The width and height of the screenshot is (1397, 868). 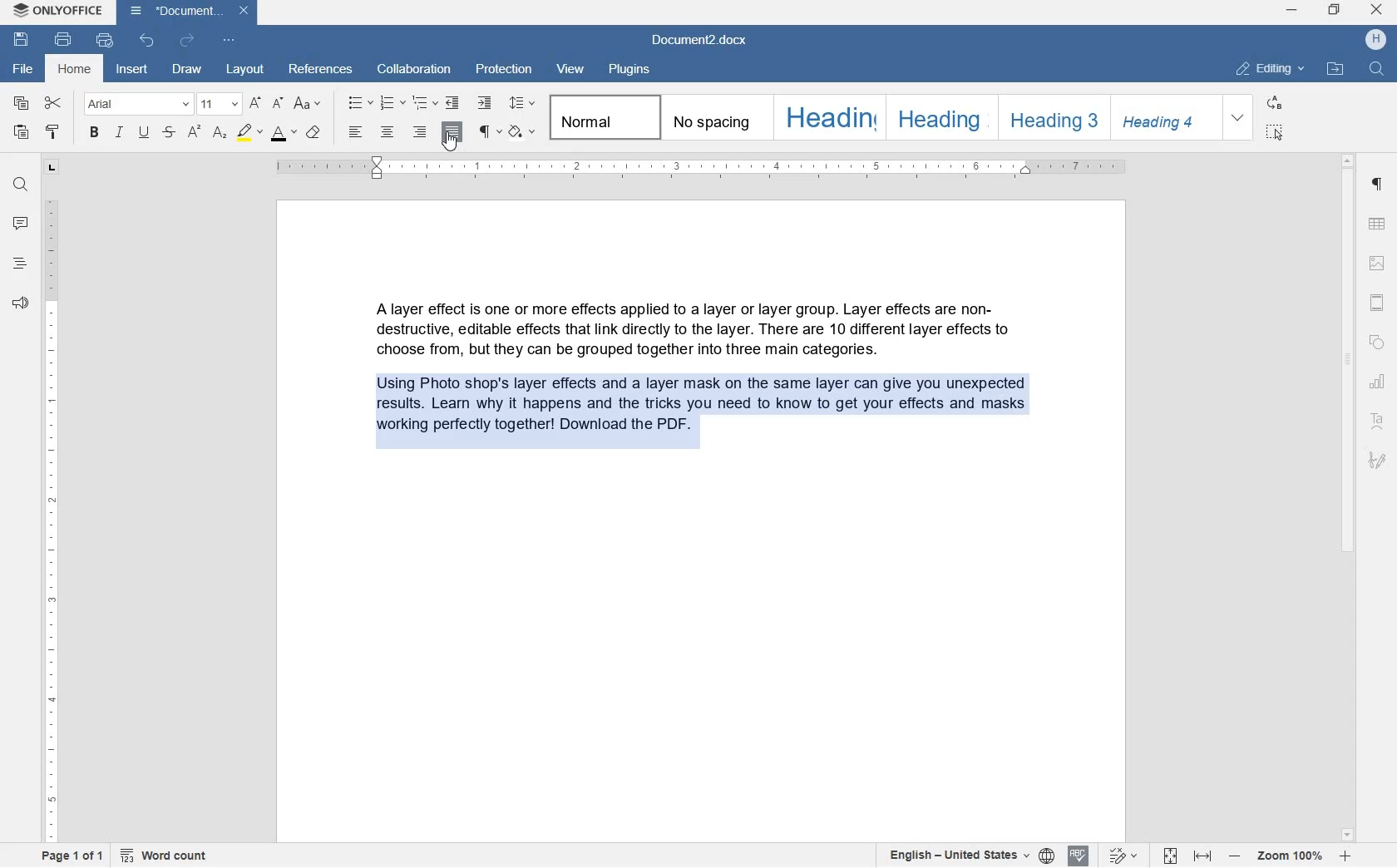 What do you see at coordinates (356, 133) in the screenshot?
I see `LEFT ALIGNMENT` at bounding box center [356, 133].